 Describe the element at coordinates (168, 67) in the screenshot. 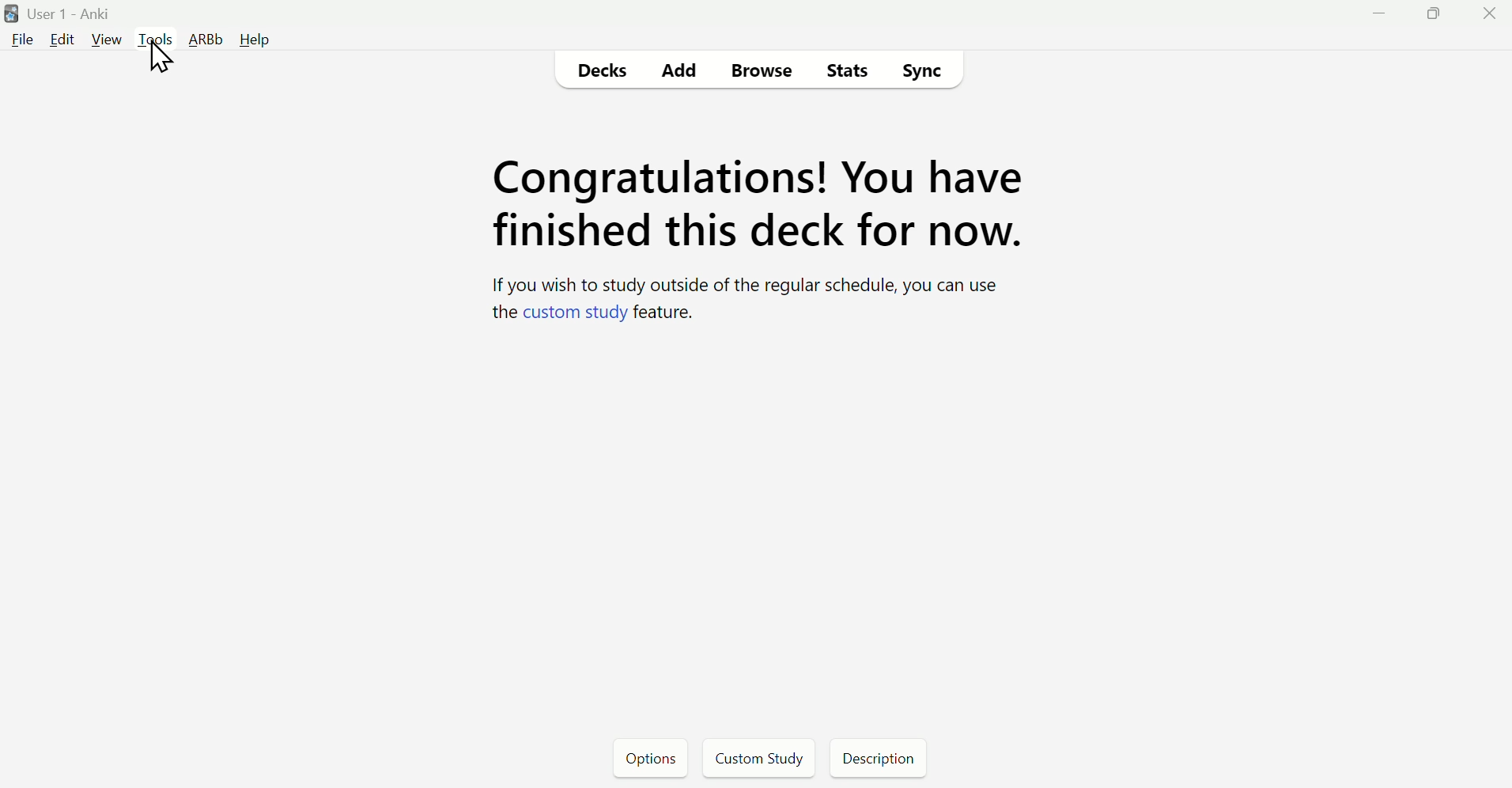

I see `cursor` at that location.